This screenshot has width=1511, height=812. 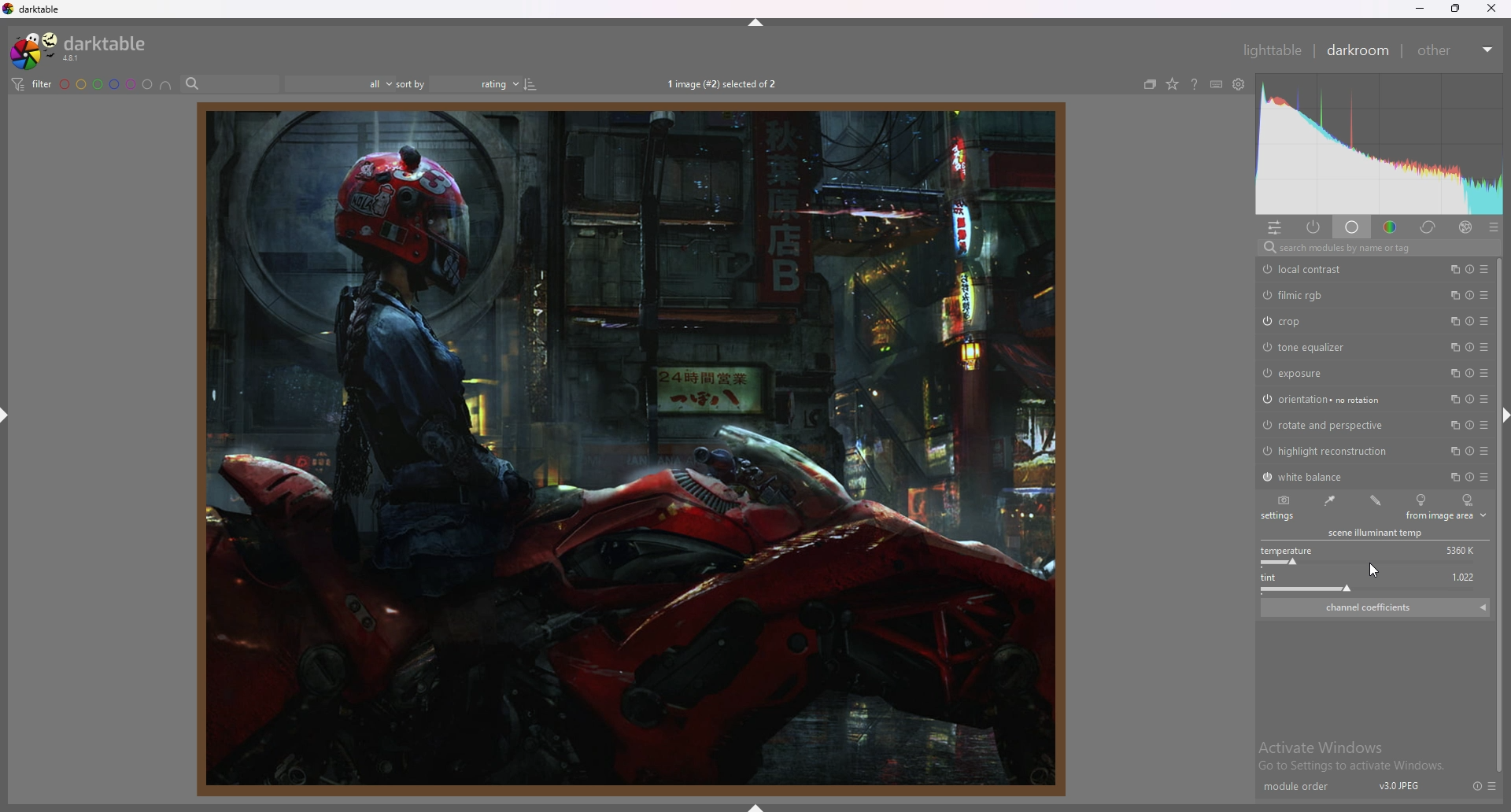 What do you see at coordinates (1284, 500) in the screenshot?
I see `as shot` at bounding box center [1284, 500].